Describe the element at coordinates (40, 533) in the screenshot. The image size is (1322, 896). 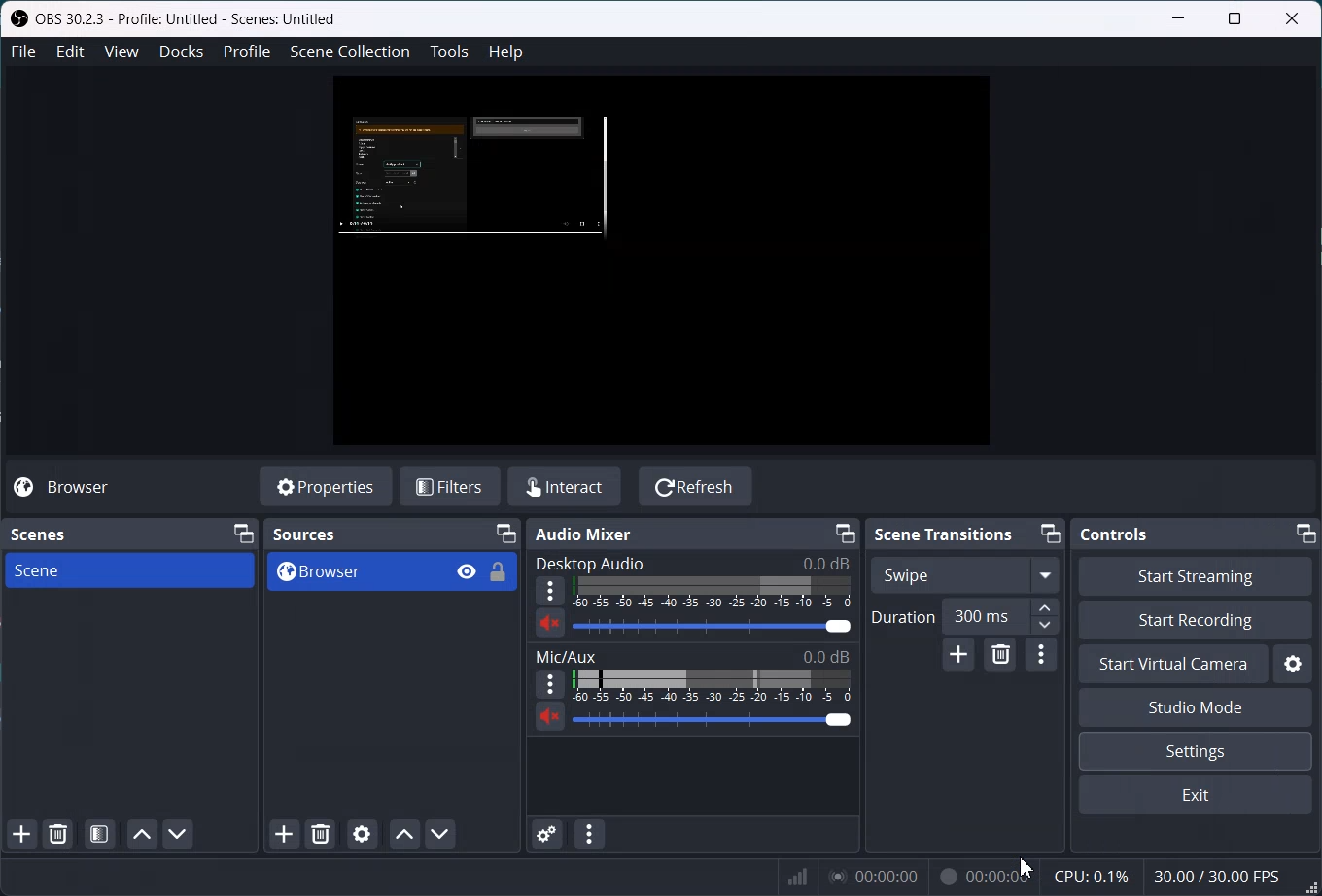
I see `Scenes` at that location.